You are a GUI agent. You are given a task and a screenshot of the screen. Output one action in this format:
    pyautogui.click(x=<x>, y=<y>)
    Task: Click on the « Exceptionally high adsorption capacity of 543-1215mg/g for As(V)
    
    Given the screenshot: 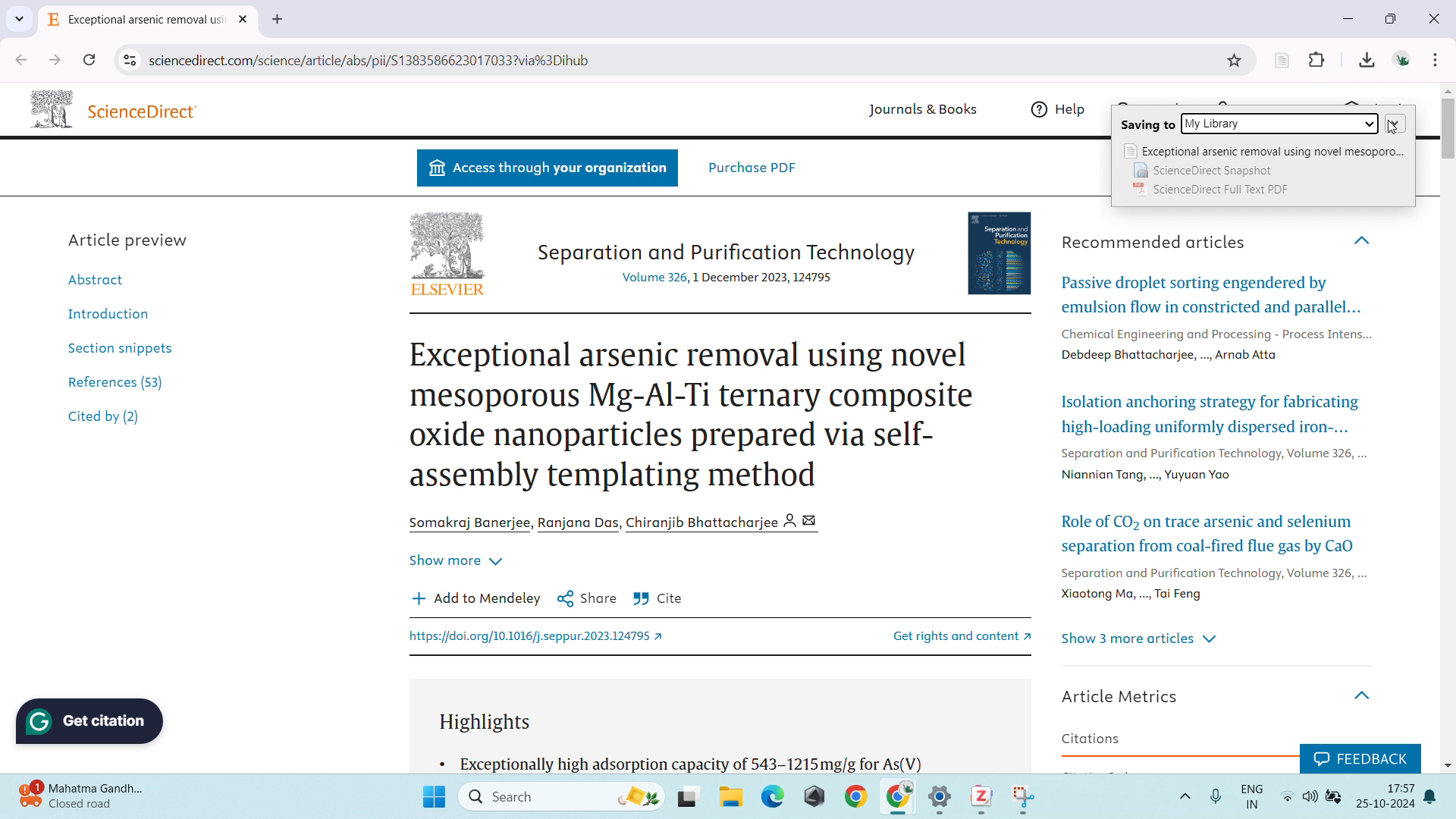 What is the action you would take?
    pyautogui.click(x=683, y=762)
    